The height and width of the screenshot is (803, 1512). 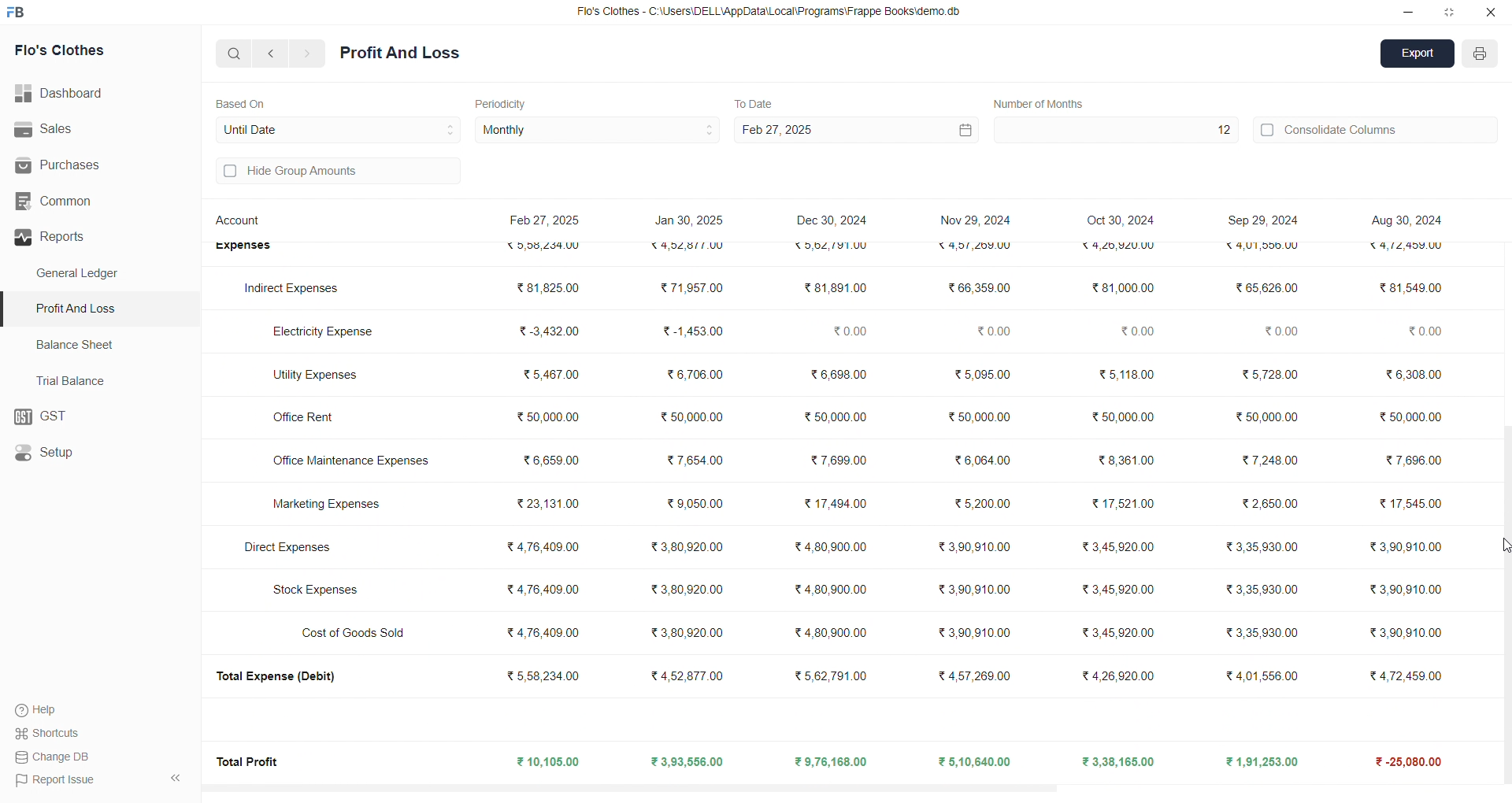 I want to click on ₹4,76,409.00, so click(x=543, y=588).